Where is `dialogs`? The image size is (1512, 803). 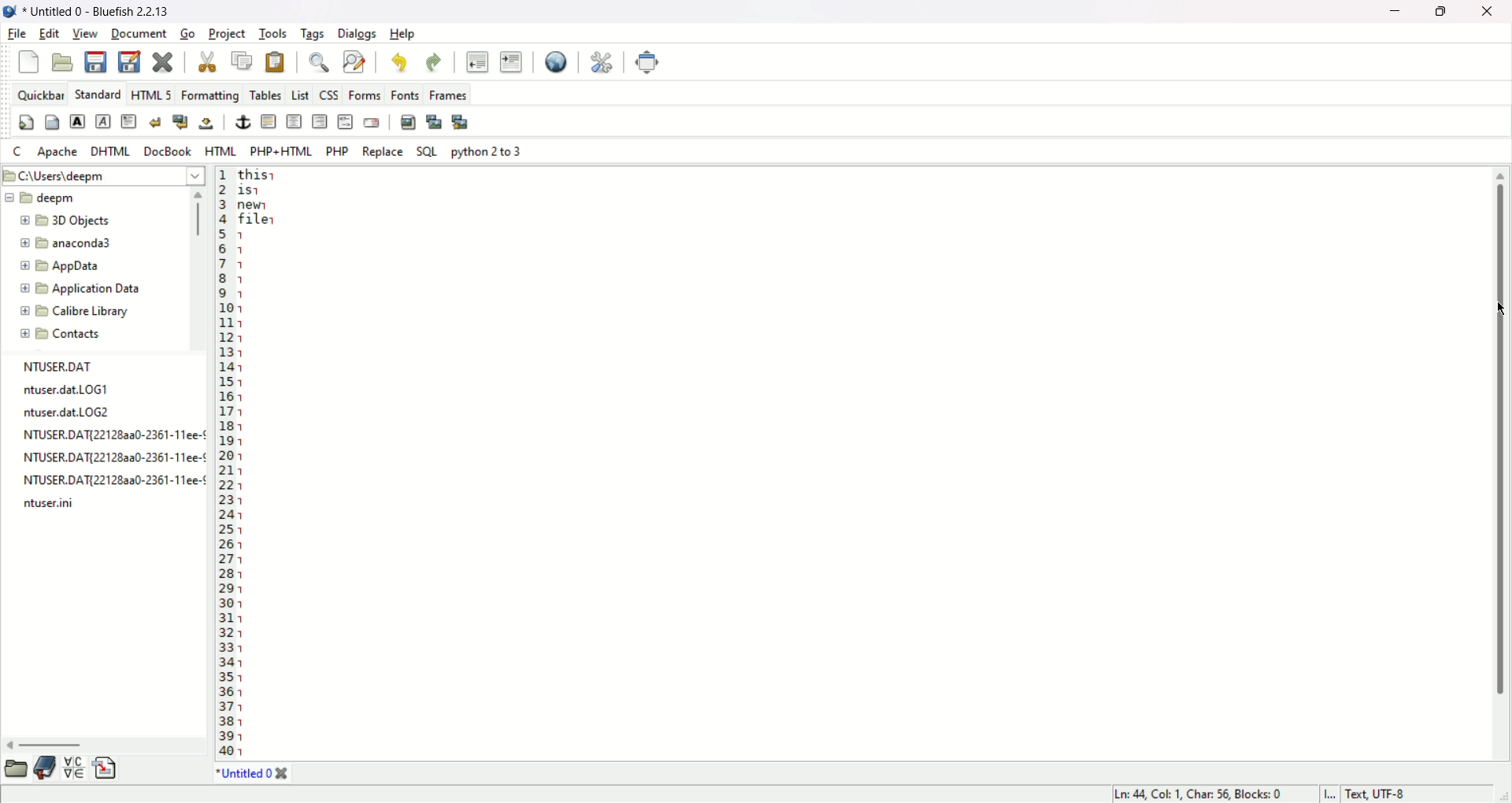 dialogs is located at coordinates (360, 35).